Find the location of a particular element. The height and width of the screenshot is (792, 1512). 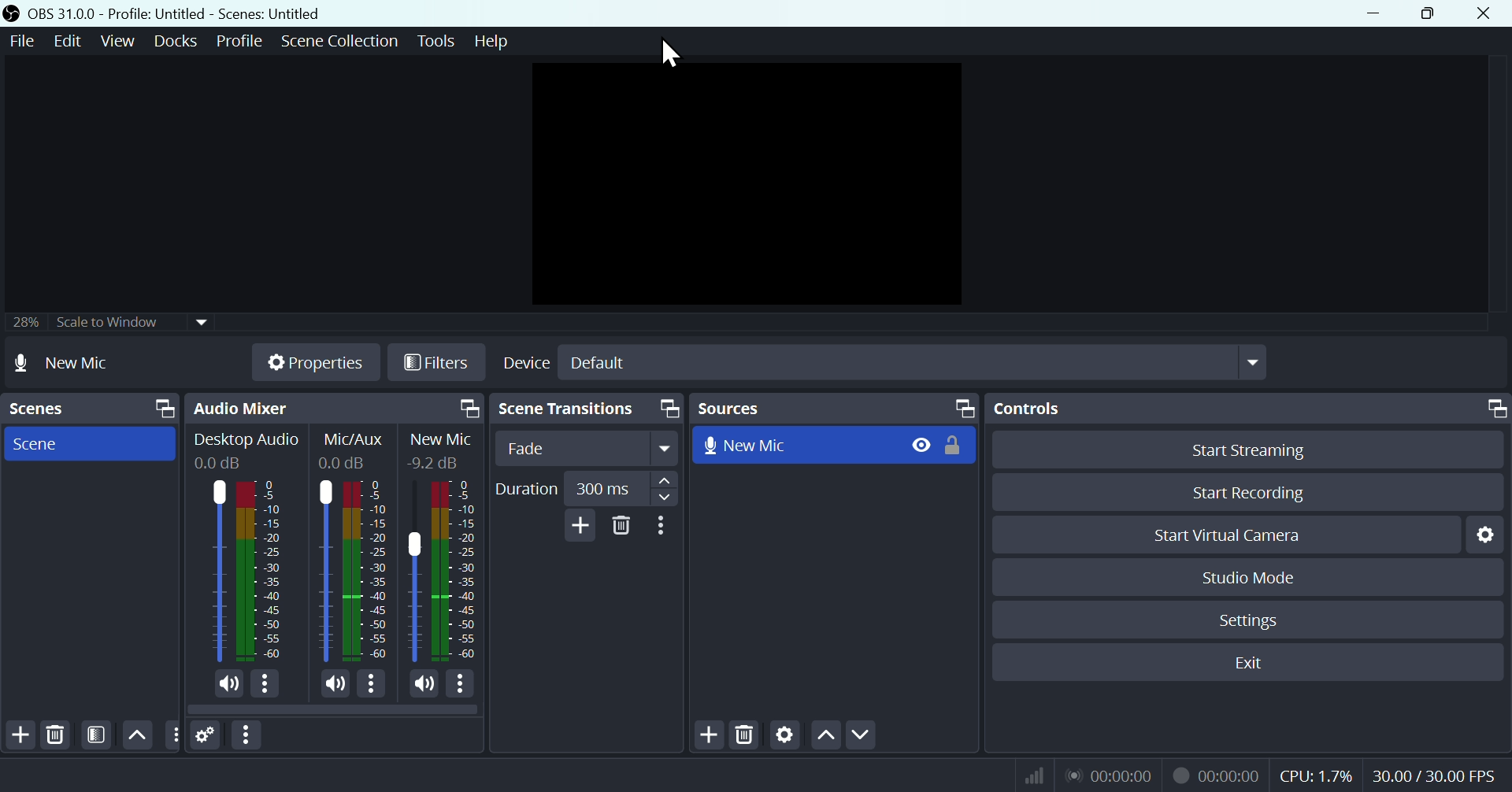

 is located at coordinates (1260, 449).